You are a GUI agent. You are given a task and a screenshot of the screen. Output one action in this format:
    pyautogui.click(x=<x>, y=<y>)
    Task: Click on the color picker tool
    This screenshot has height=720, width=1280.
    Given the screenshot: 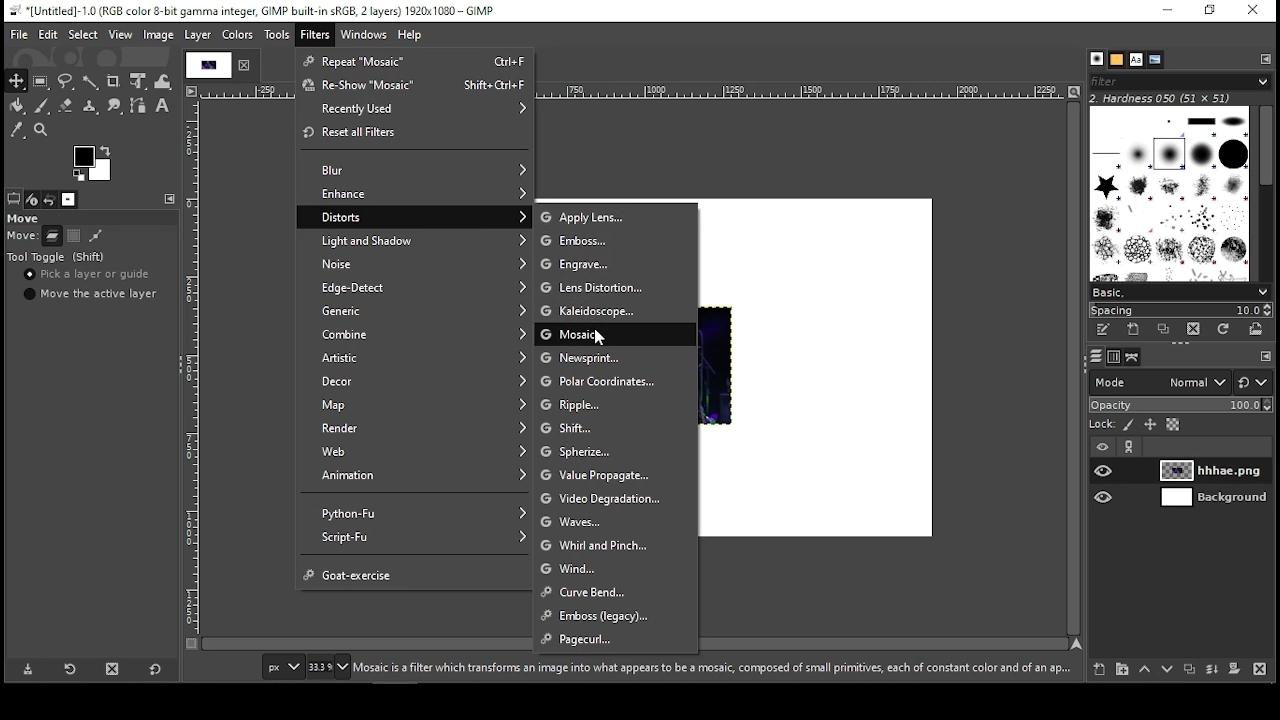 What is the action you would take?
    pyautogui.click(x=17, y=131)
    